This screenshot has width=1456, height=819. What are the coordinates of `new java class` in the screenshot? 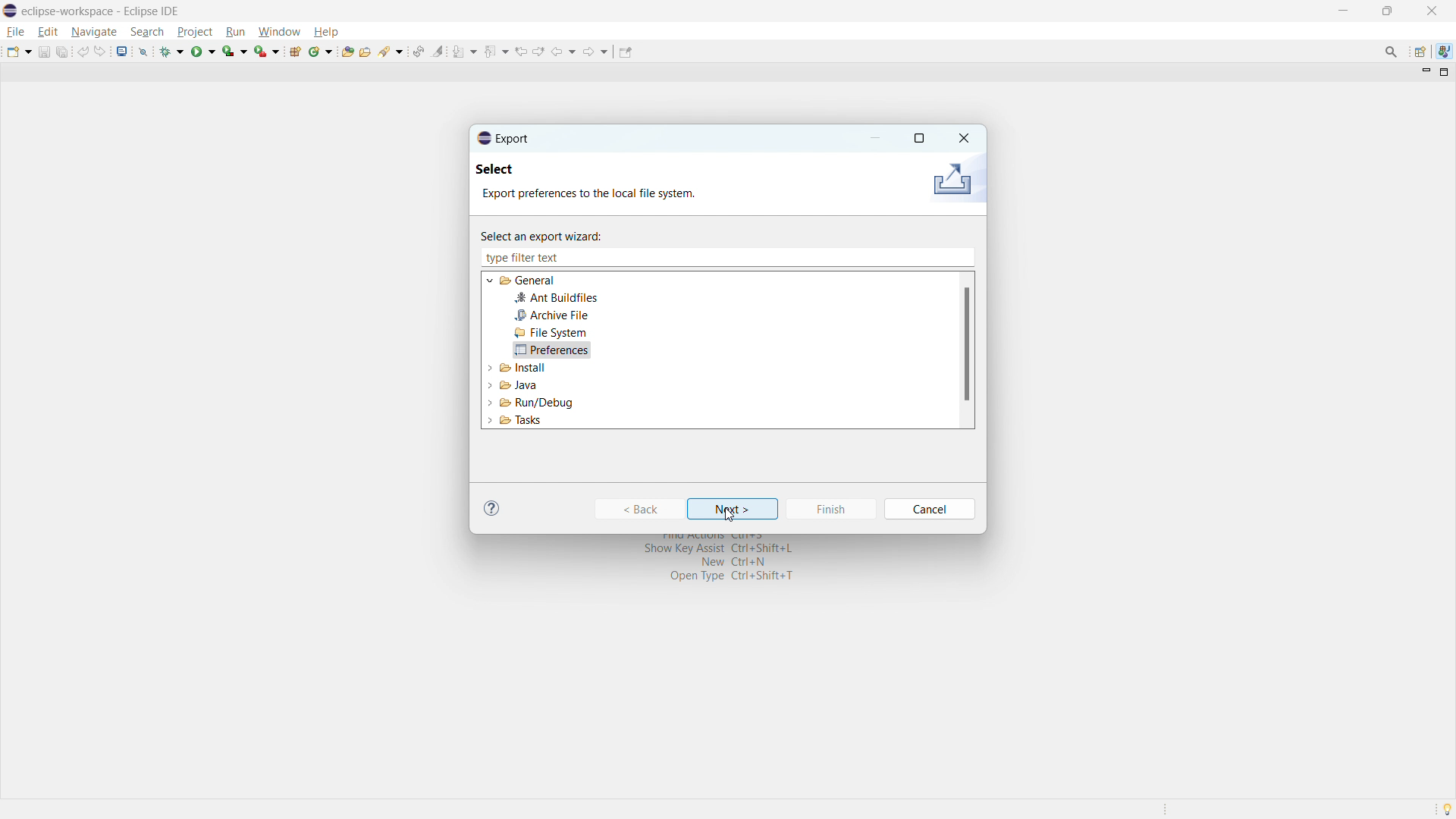 It's located at (321, 52).